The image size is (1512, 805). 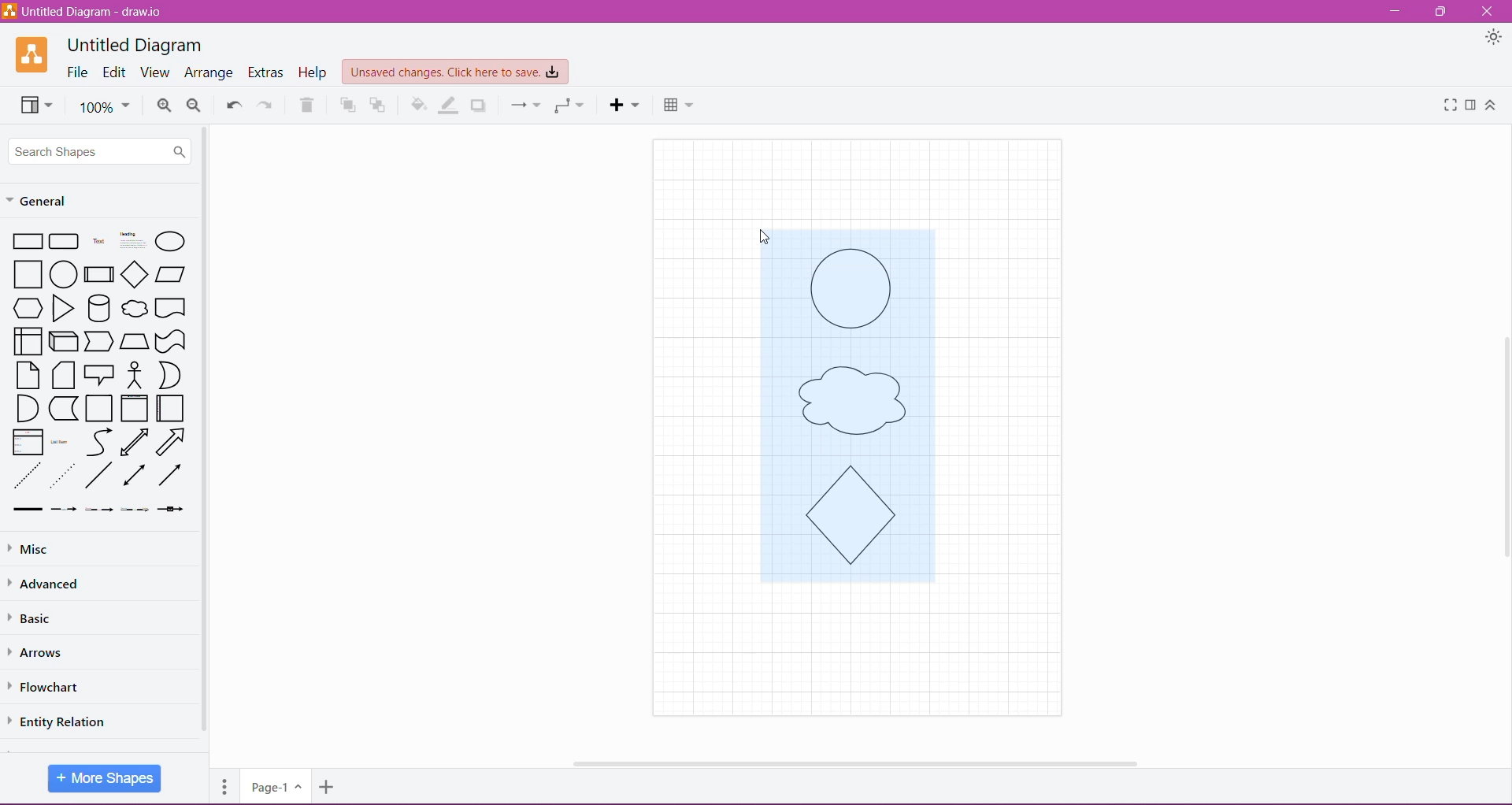 I want to click on Redo, so click(x=265, y=104).